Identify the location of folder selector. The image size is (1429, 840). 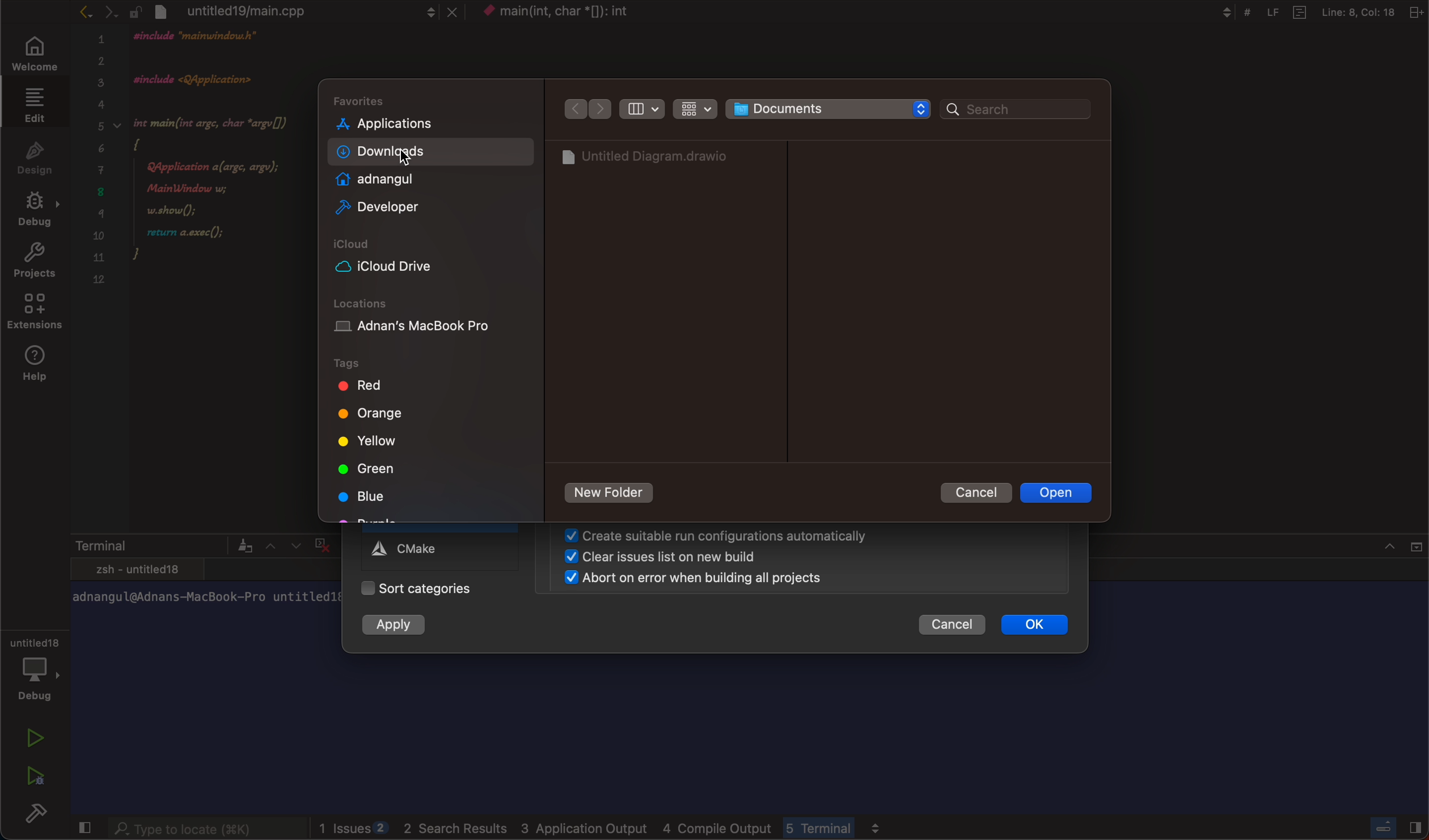
(828, 109).